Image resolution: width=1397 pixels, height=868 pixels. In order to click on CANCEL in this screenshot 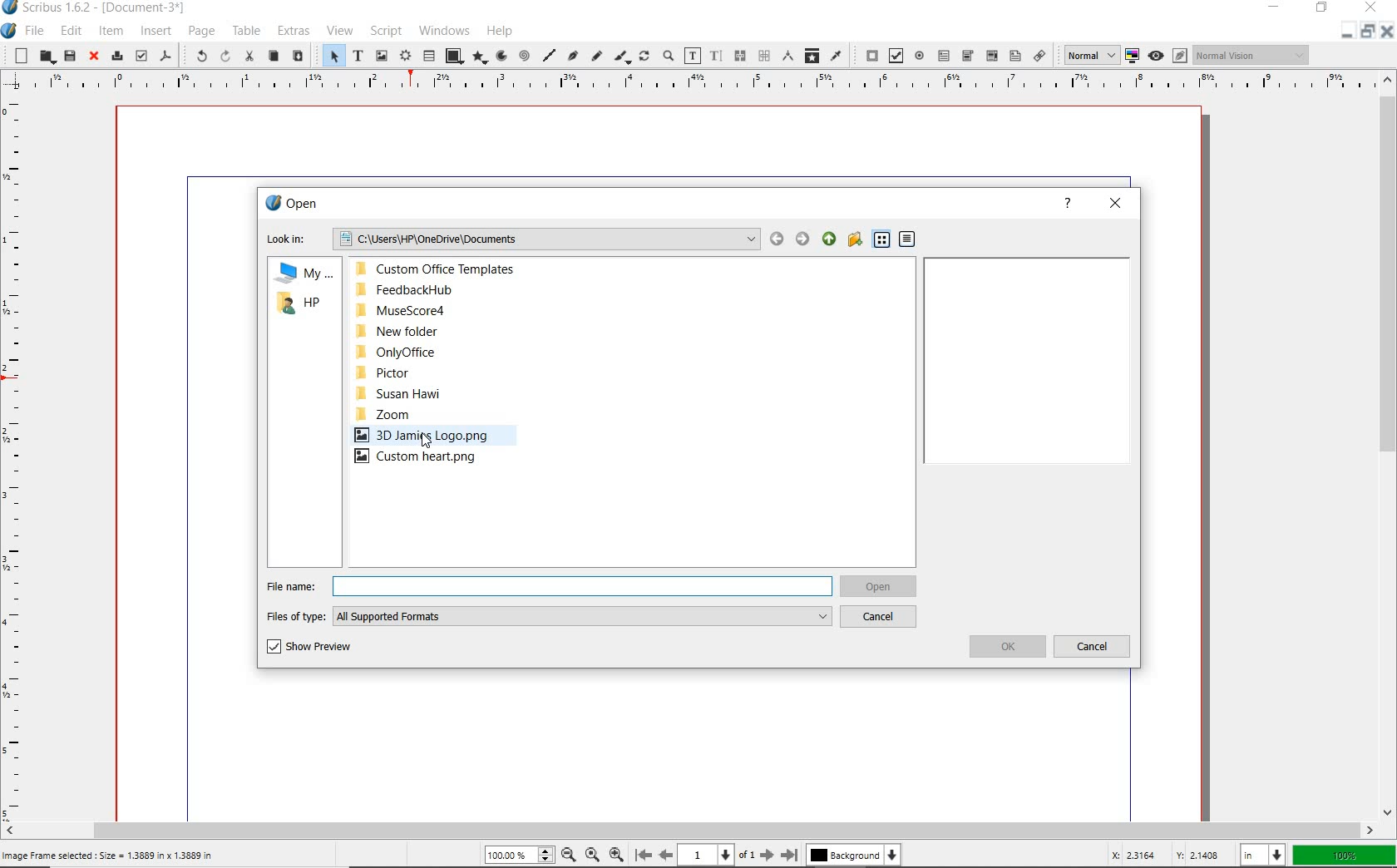, I will do `click(881, 618)`.